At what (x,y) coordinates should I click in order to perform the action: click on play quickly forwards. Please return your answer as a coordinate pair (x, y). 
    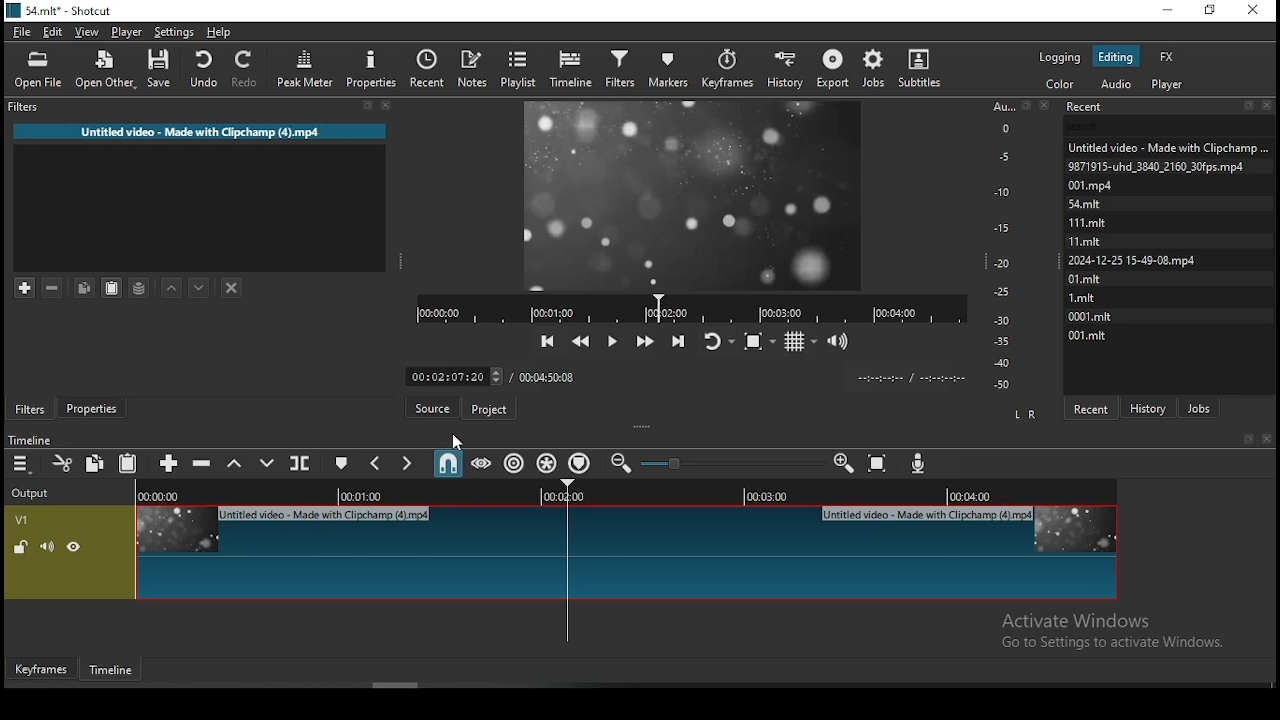
    Looking at the image, I should click on (642, 339).